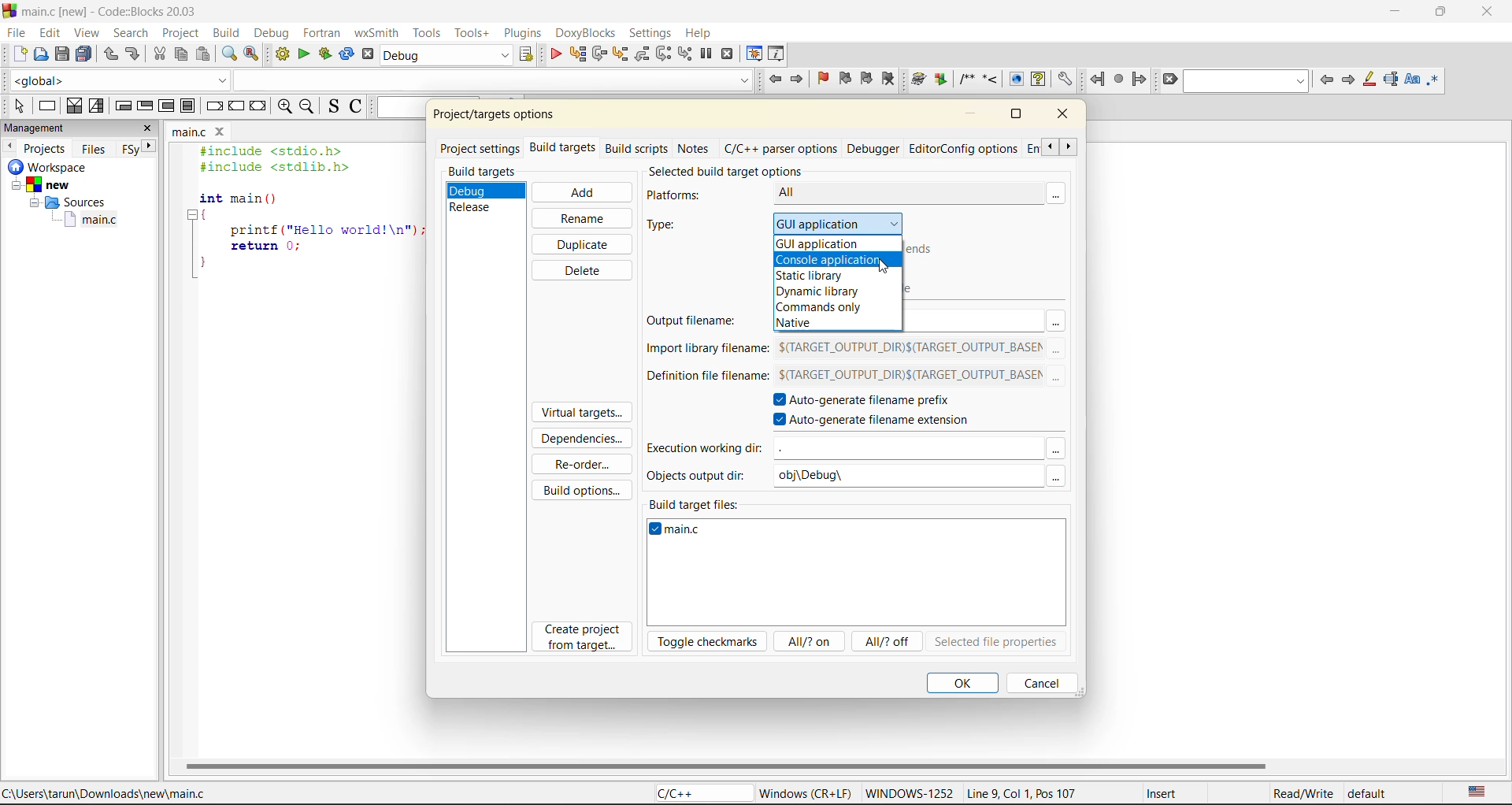  Describe the element at coordinates (806, 792) in the screenshot. I see `Windows (CR + LF)` at that location.